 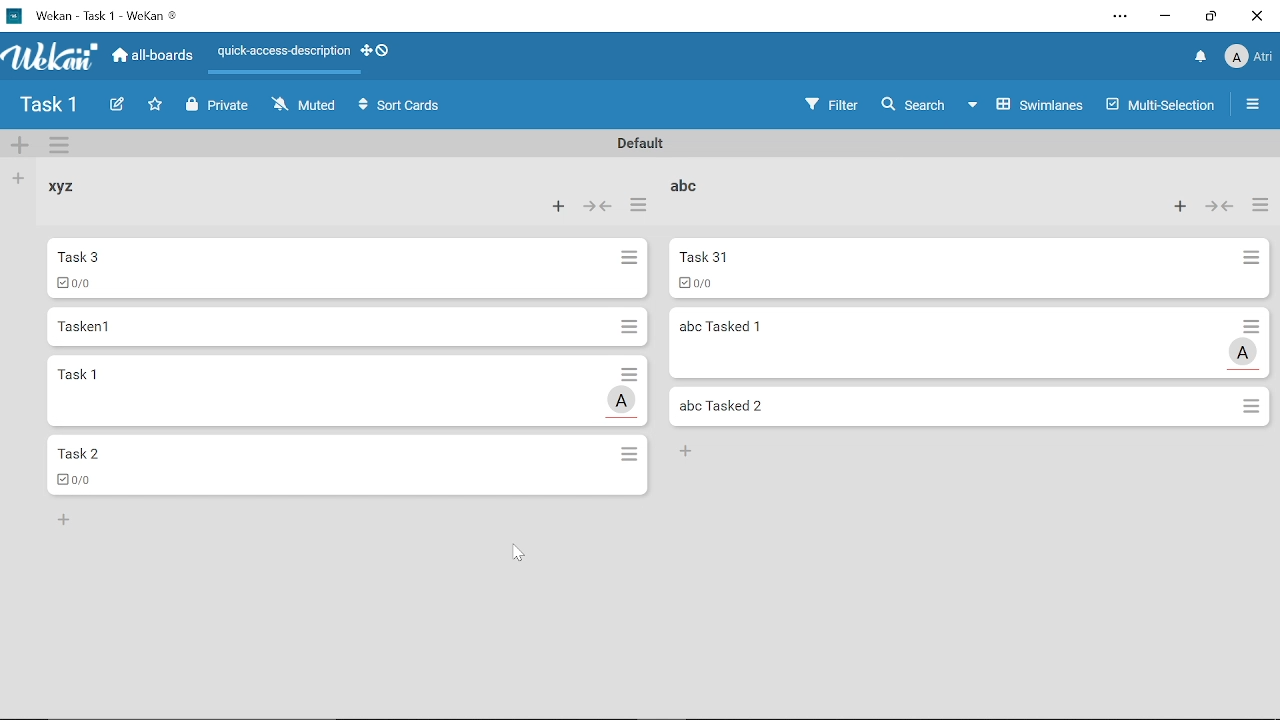 I want to click on Show desktop drag handlws, so click(x=383, y=50).